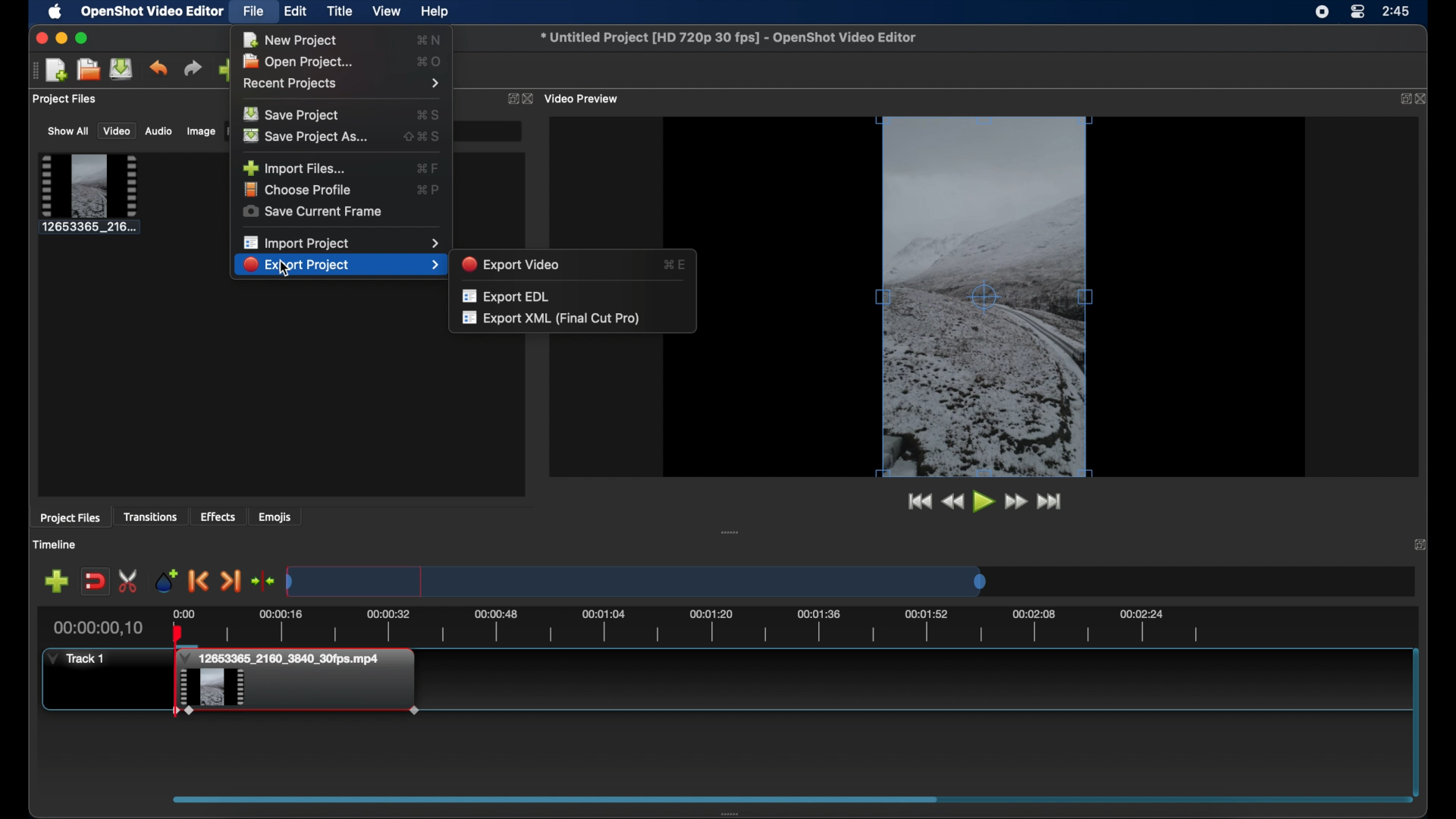  What do you see at coordinates (232, 582) in the screenshot?
I see `next marker` at bounding box center [232, 582].